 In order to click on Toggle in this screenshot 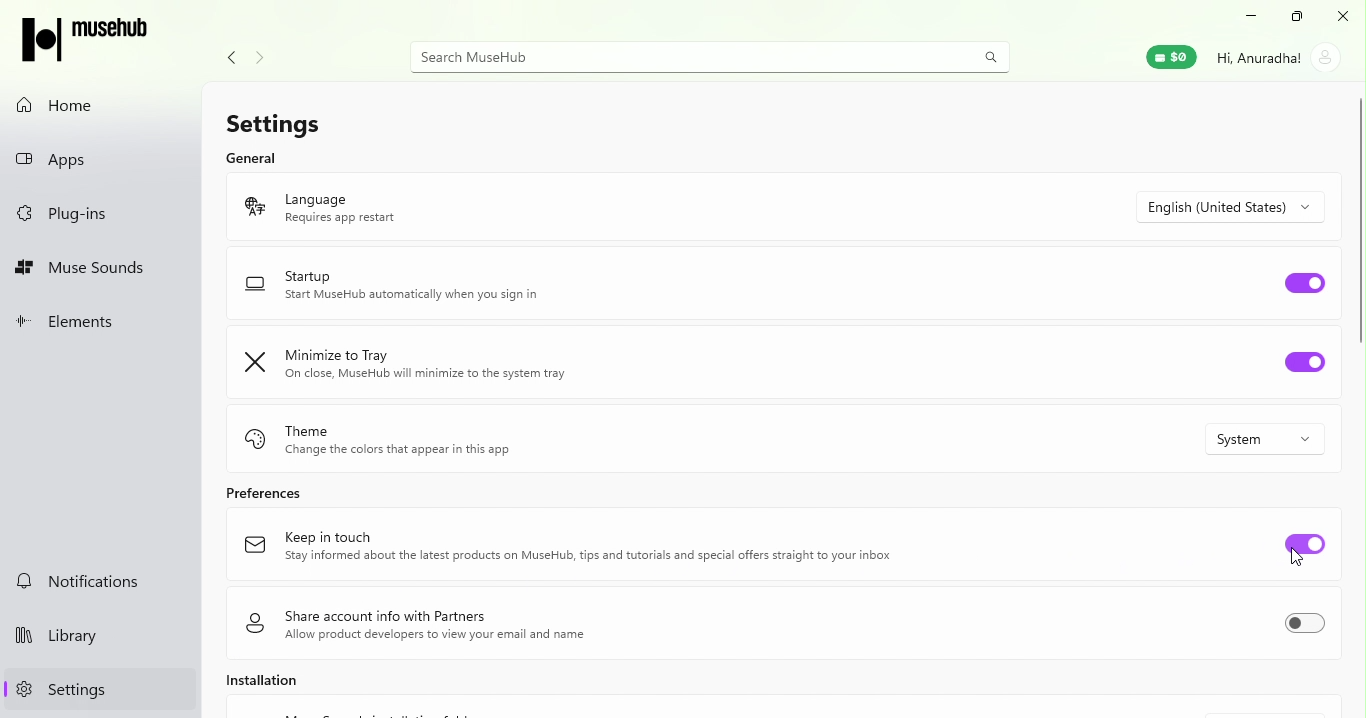, I will do `click(1307, 368)`.